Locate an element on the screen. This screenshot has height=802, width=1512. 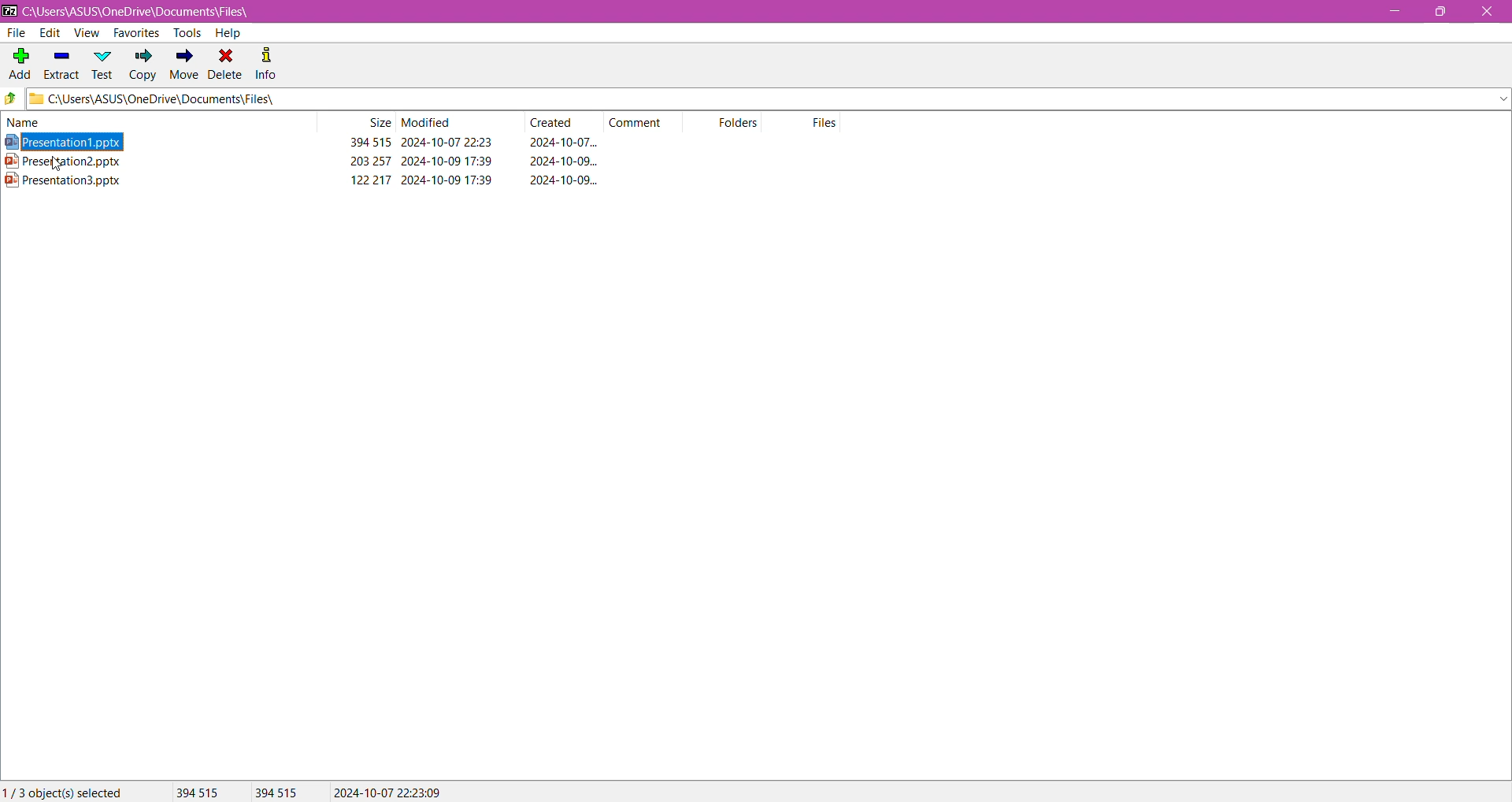
Modified is located at coordinates (428, 123).